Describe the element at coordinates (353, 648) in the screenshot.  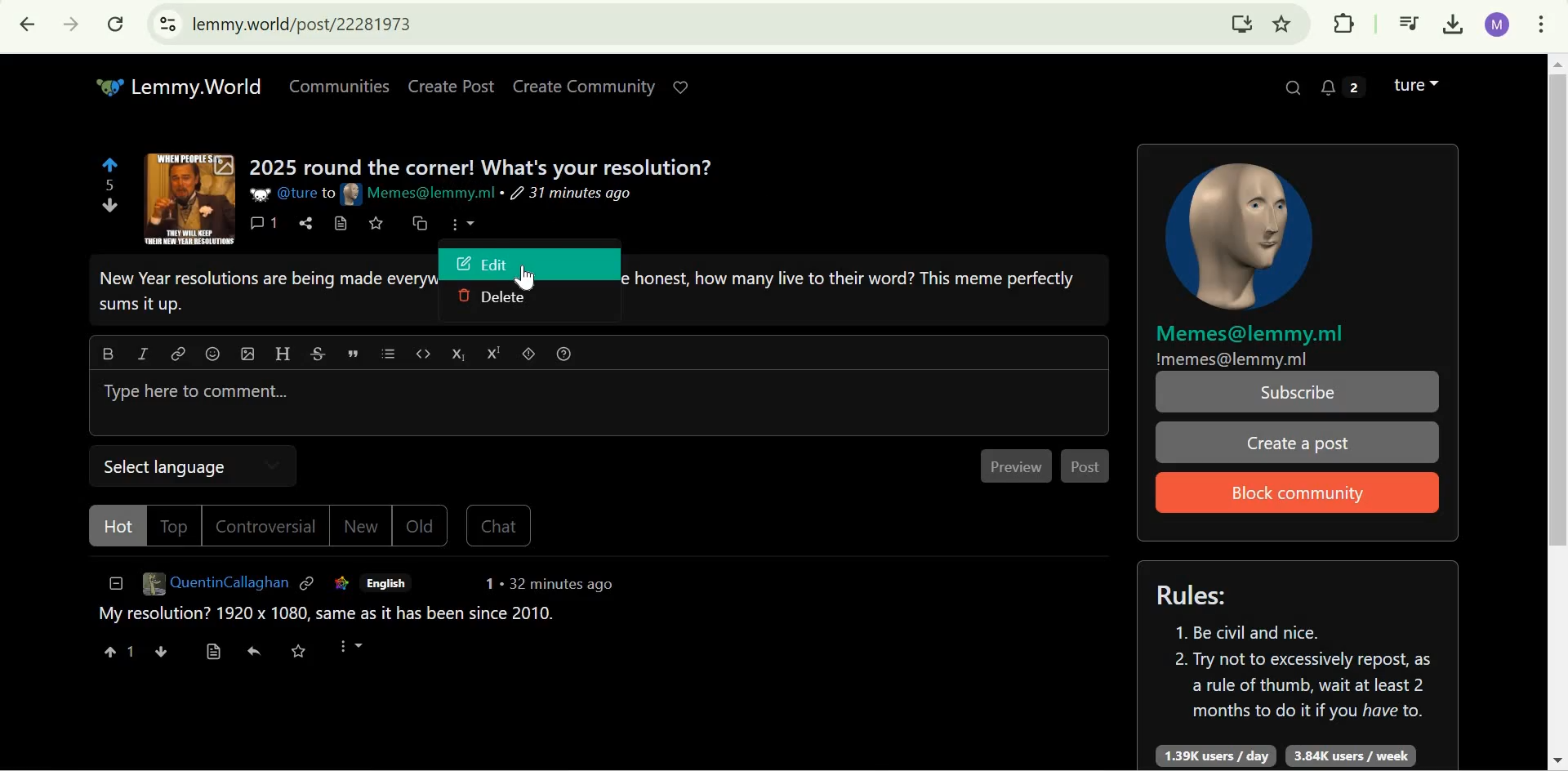
I see `More` at that location.